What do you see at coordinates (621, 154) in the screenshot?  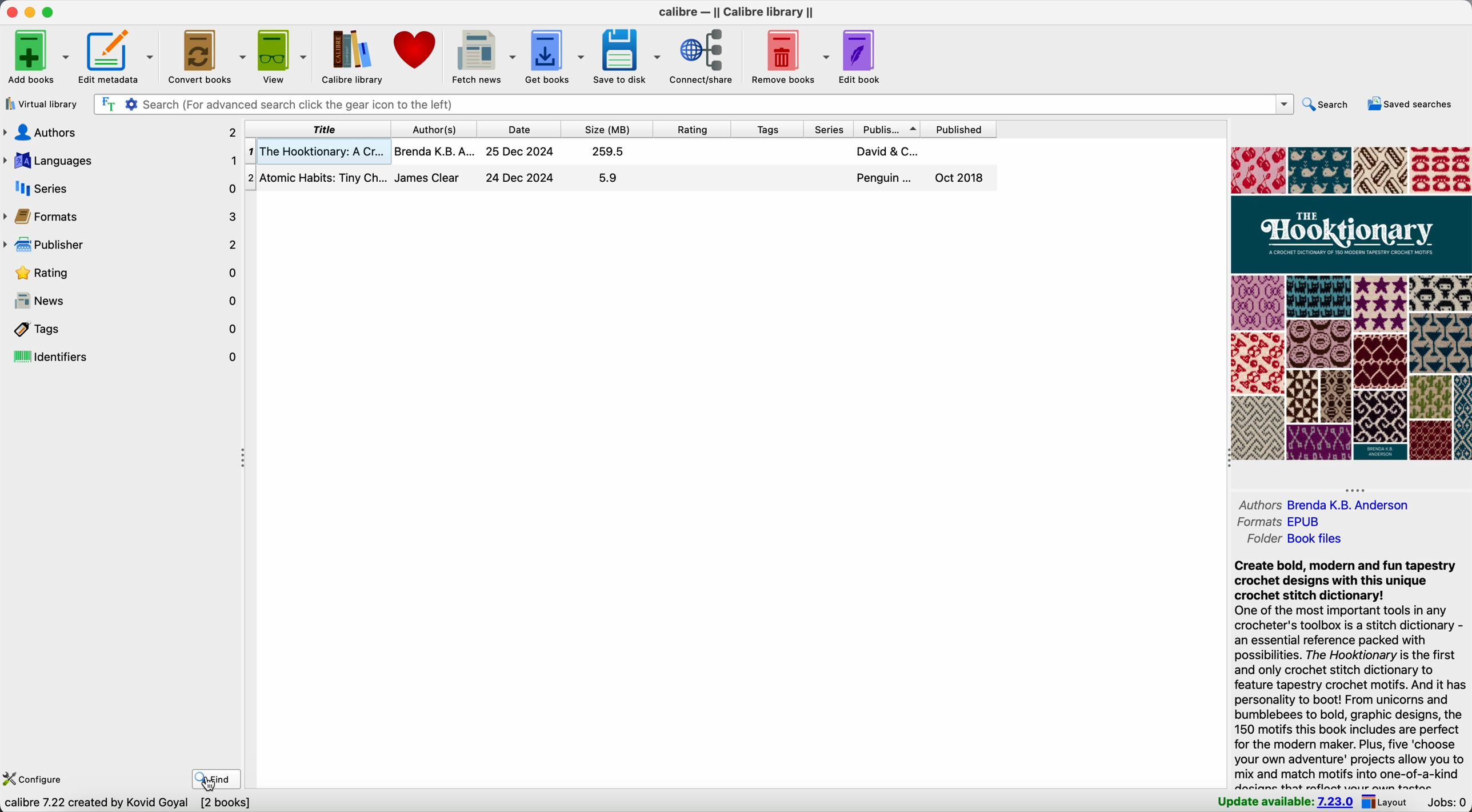 I see `first book` at bounding box center [621, 154].